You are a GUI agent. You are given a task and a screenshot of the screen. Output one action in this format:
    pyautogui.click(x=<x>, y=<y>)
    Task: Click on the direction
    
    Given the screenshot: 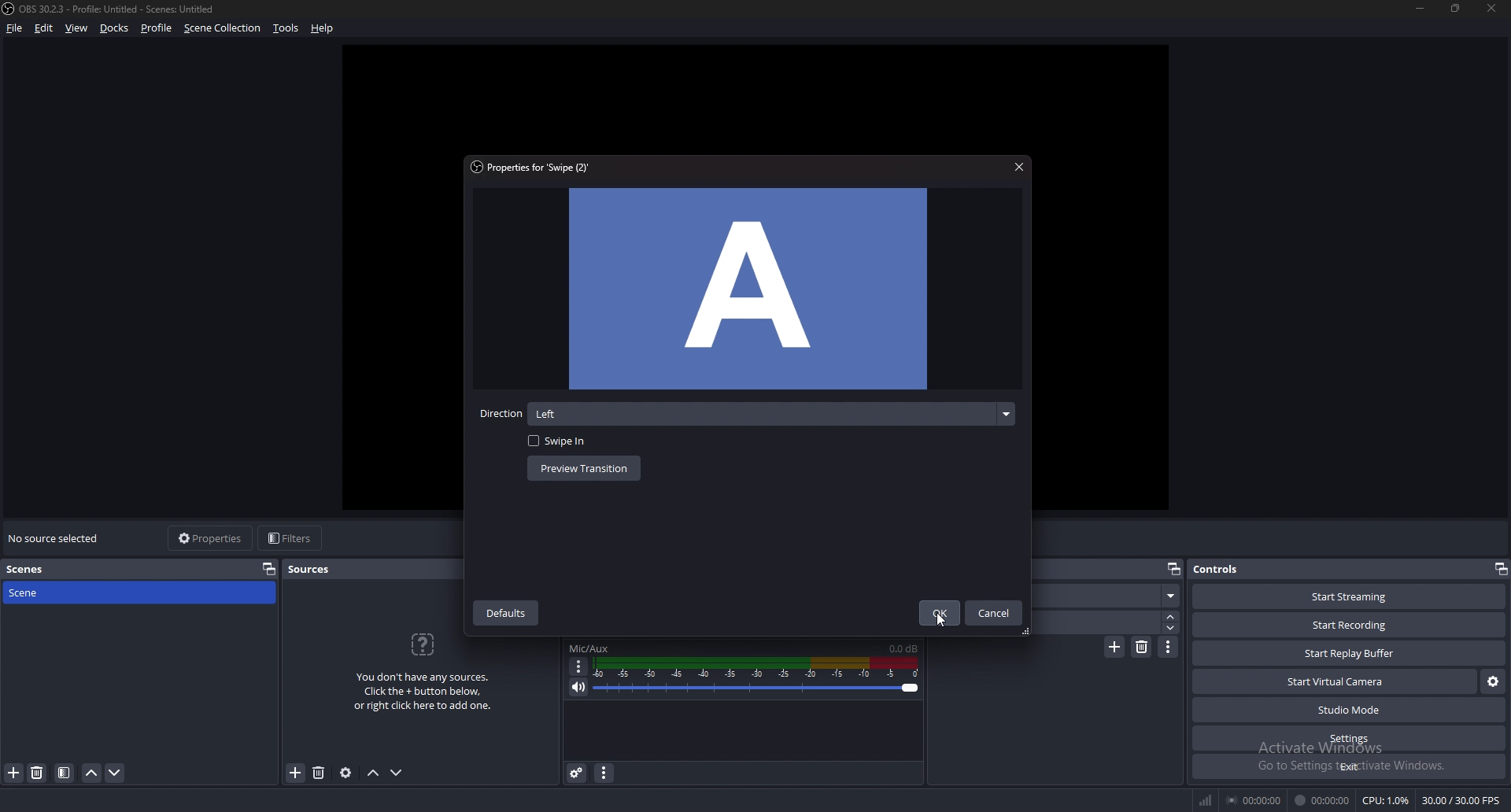 What is the action you would take?
    pyautogui.click(x=500, y=415)
    